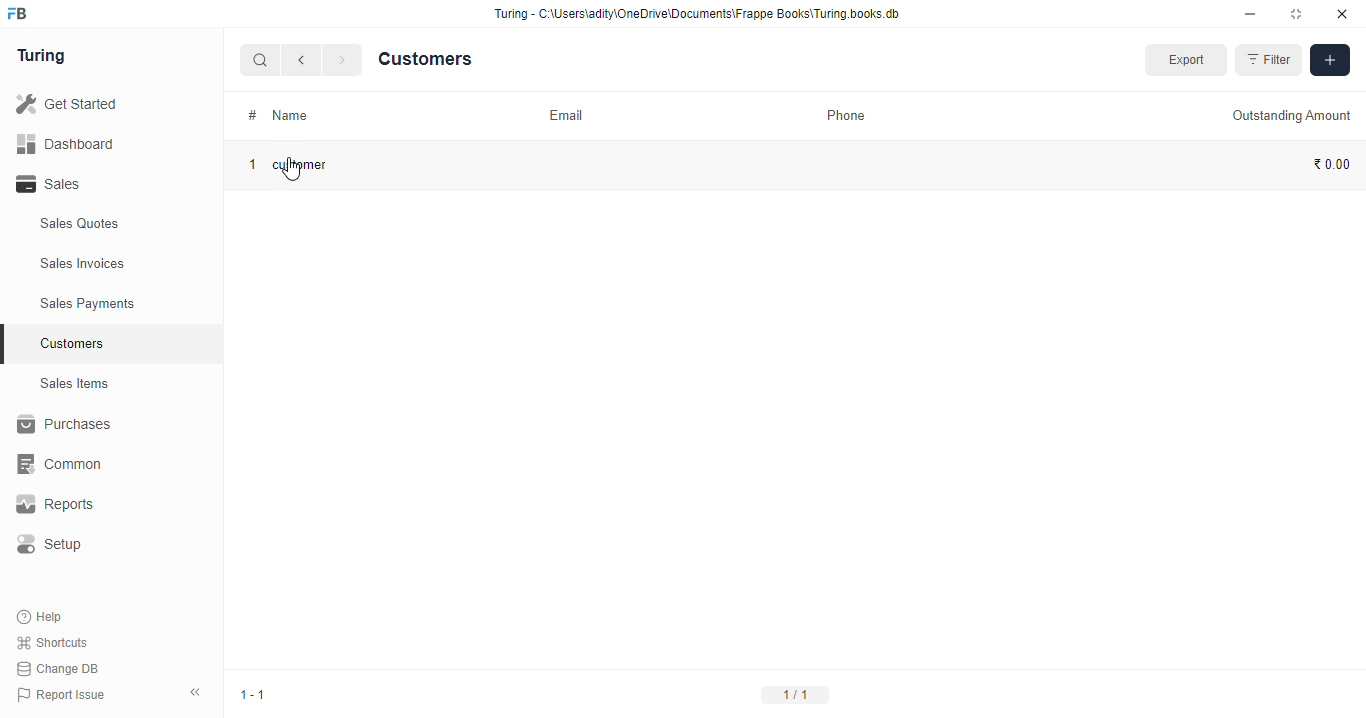 Image resolution: width=1366 pixels, height=718 pixels. I want to click on close, so click(1345, 14).